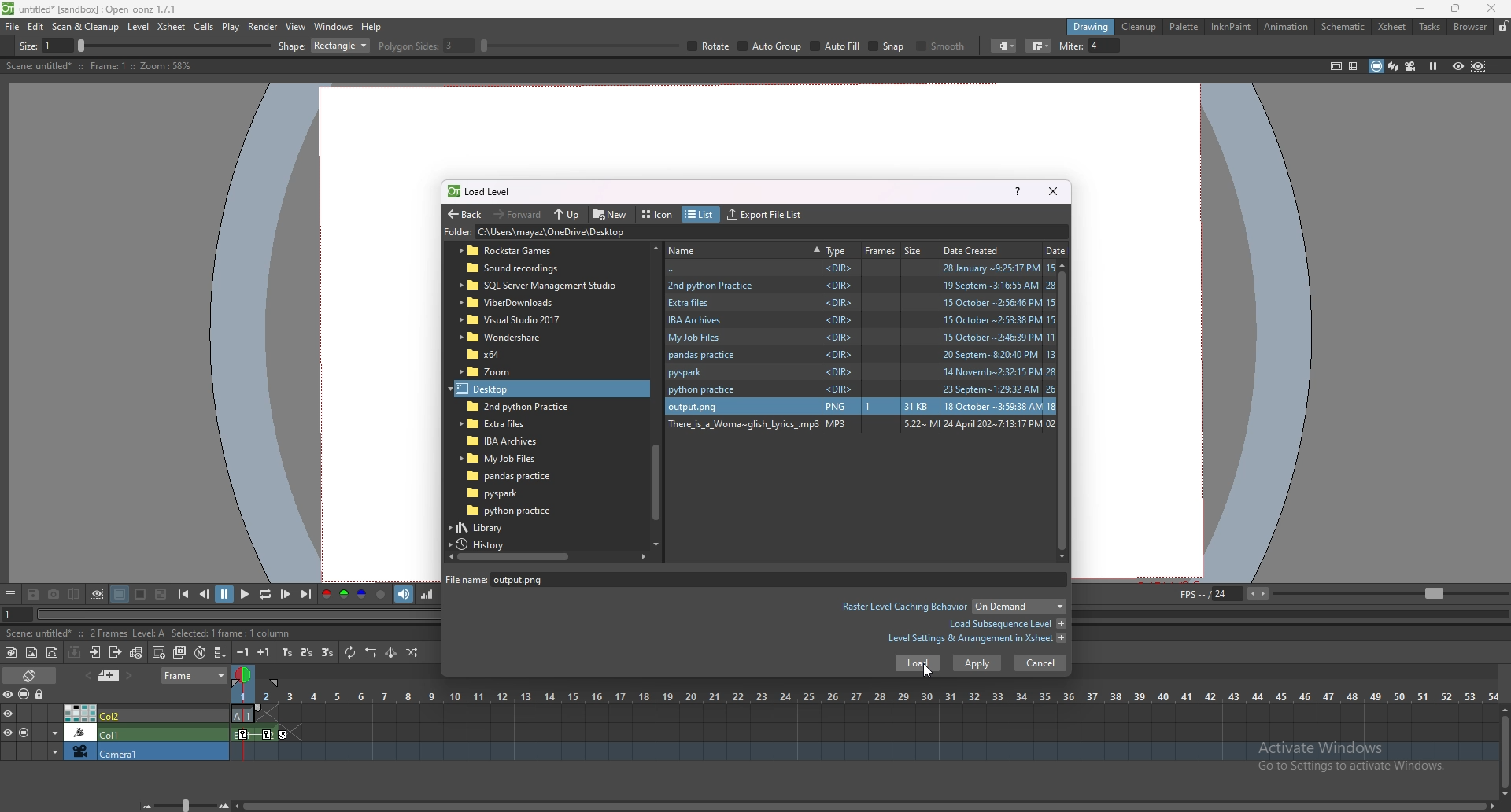 This screenshot has height=812, width=1511. Describe the element at coordinates (512, 320) in the screenshot. I see `folder` at that location.